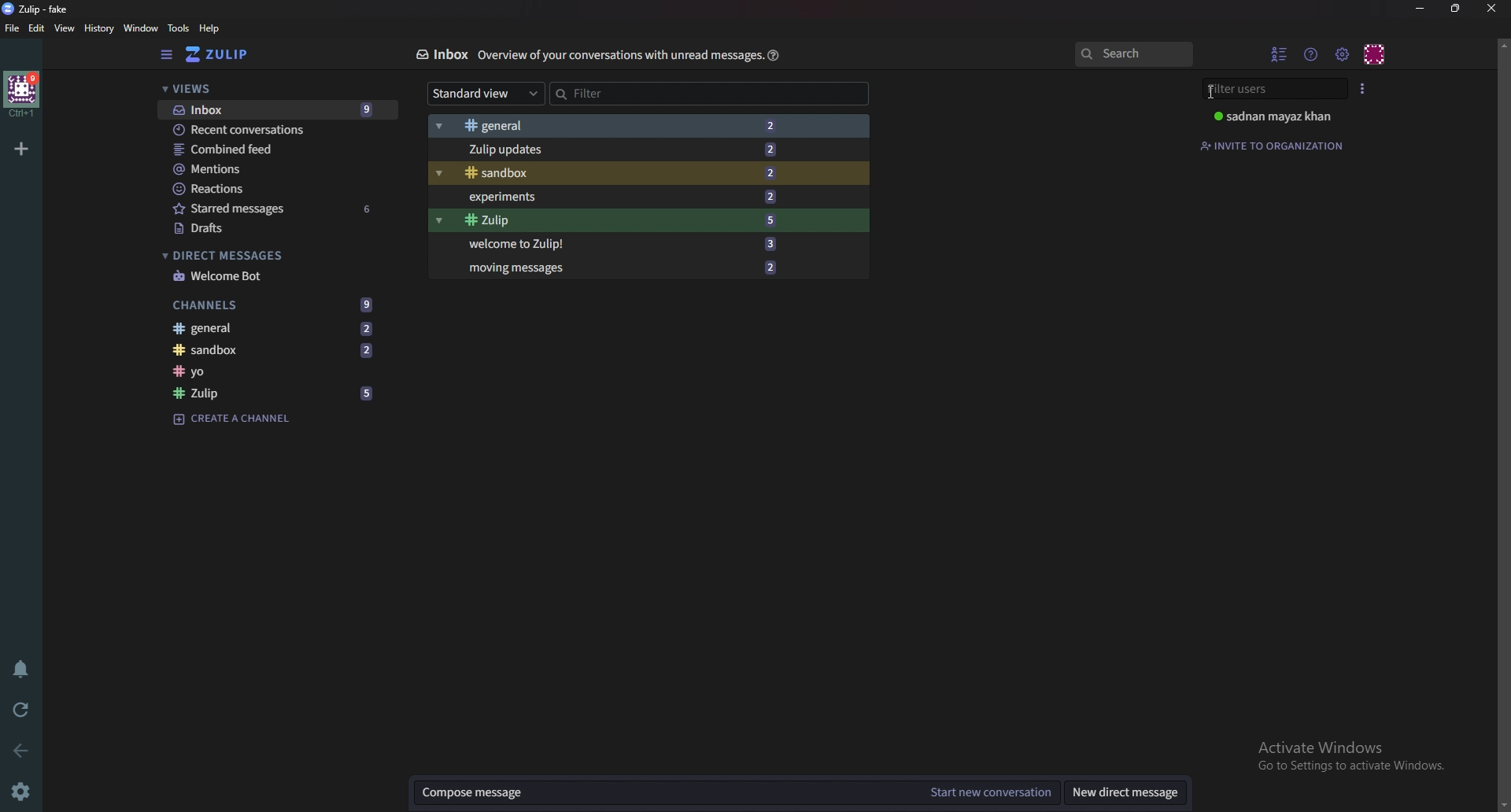 Image resolution: width=1511 pixels, height=812 pixels. I want to click on Inbox, so click(439, 57).